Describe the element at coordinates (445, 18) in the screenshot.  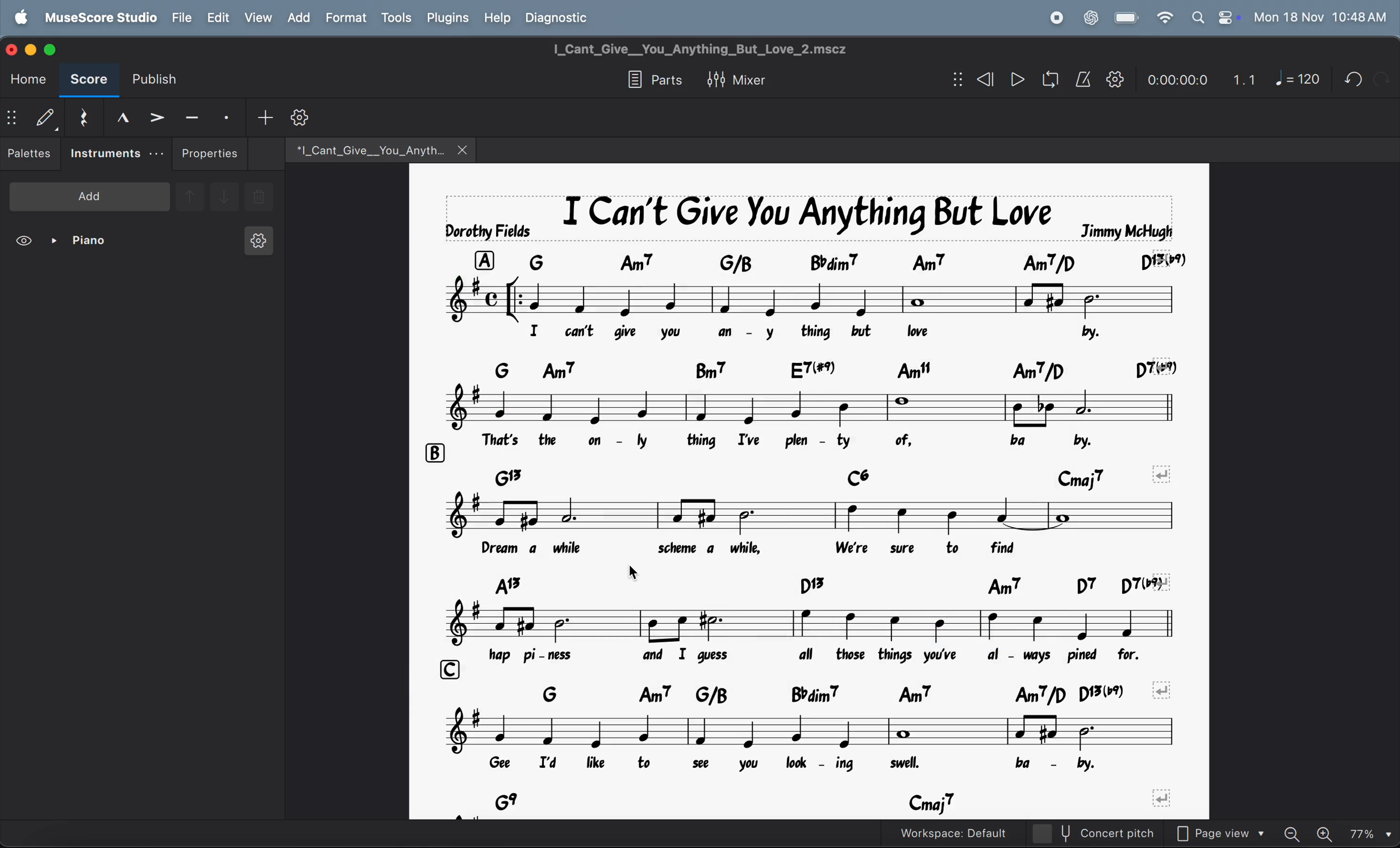
I see `plugins` at that location.